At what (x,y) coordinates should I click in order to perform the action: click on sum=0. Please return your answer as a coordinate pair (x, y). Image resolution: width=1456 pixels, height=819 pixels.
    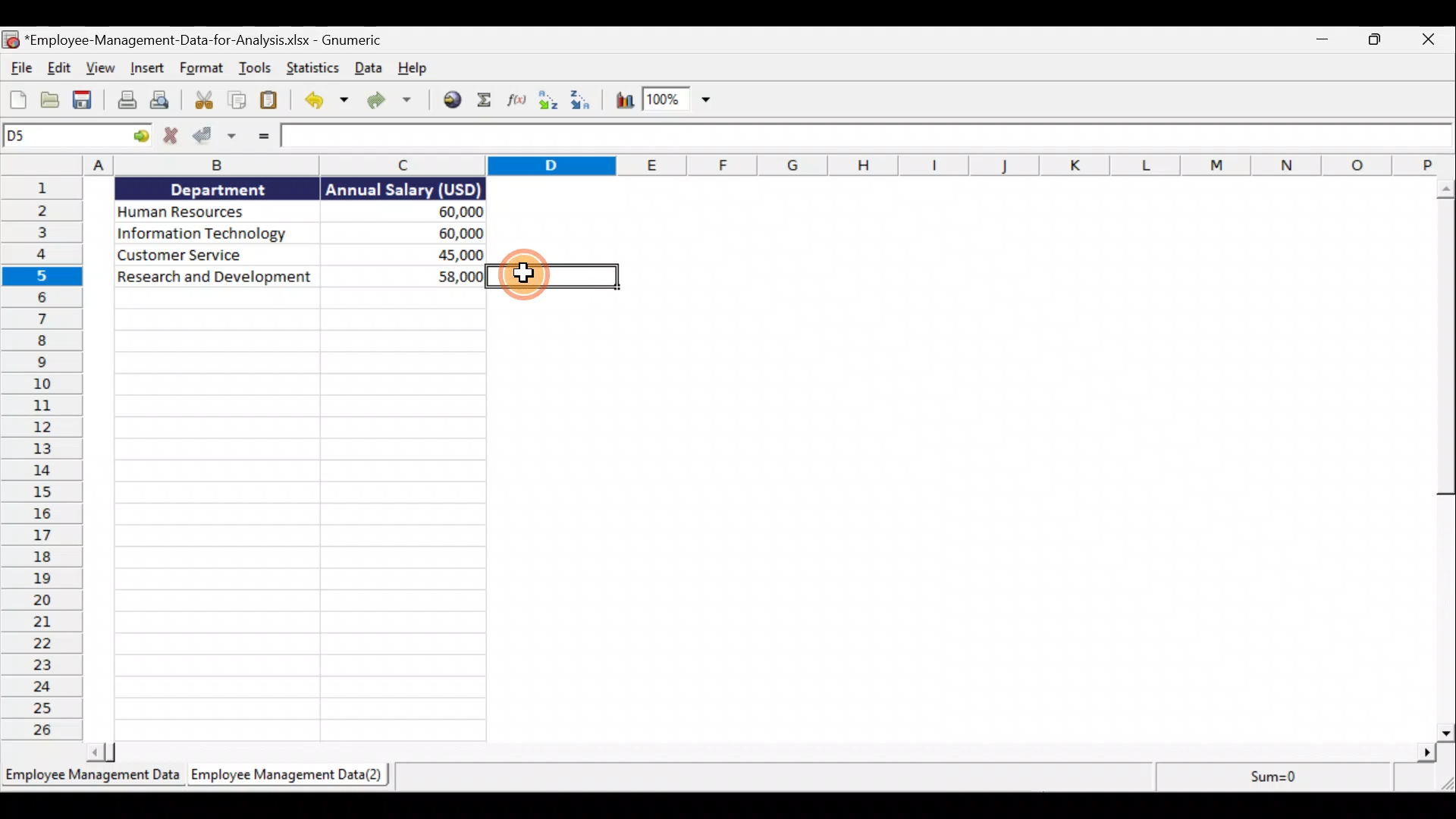
    Looking at the image, I should click on (1267, 777).